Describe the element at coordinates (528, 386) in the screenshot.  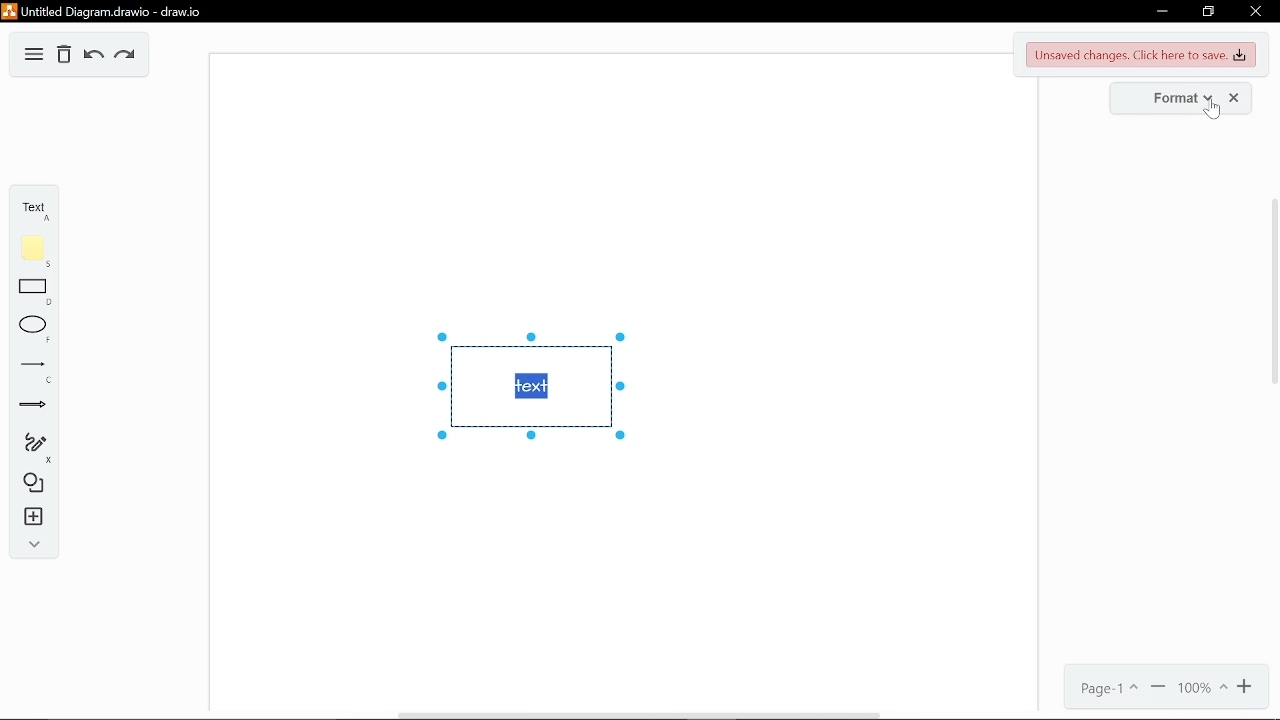
I see `text box selected` at that location.